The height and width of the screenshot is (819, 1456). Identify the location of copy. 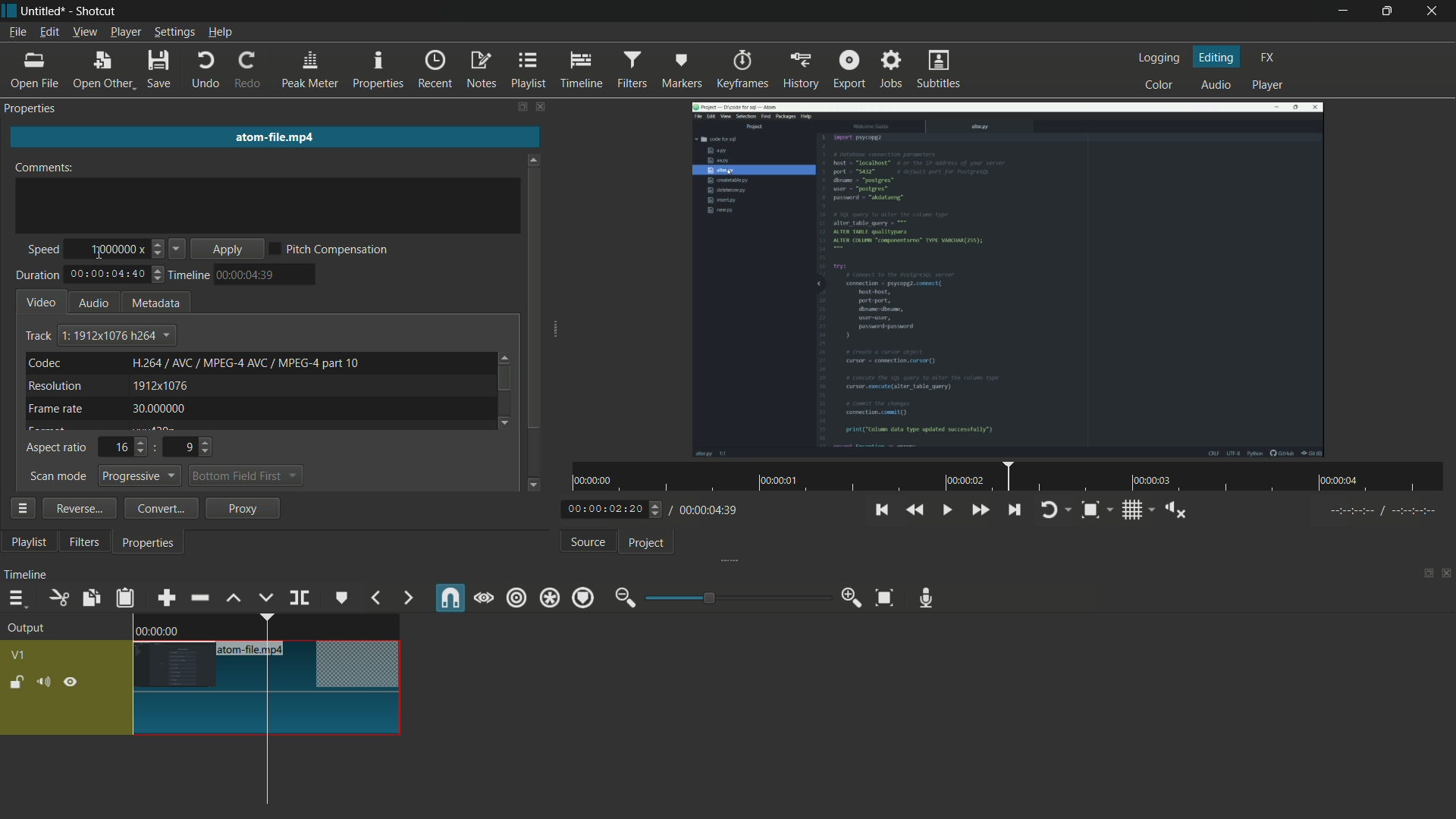
(89, 598).